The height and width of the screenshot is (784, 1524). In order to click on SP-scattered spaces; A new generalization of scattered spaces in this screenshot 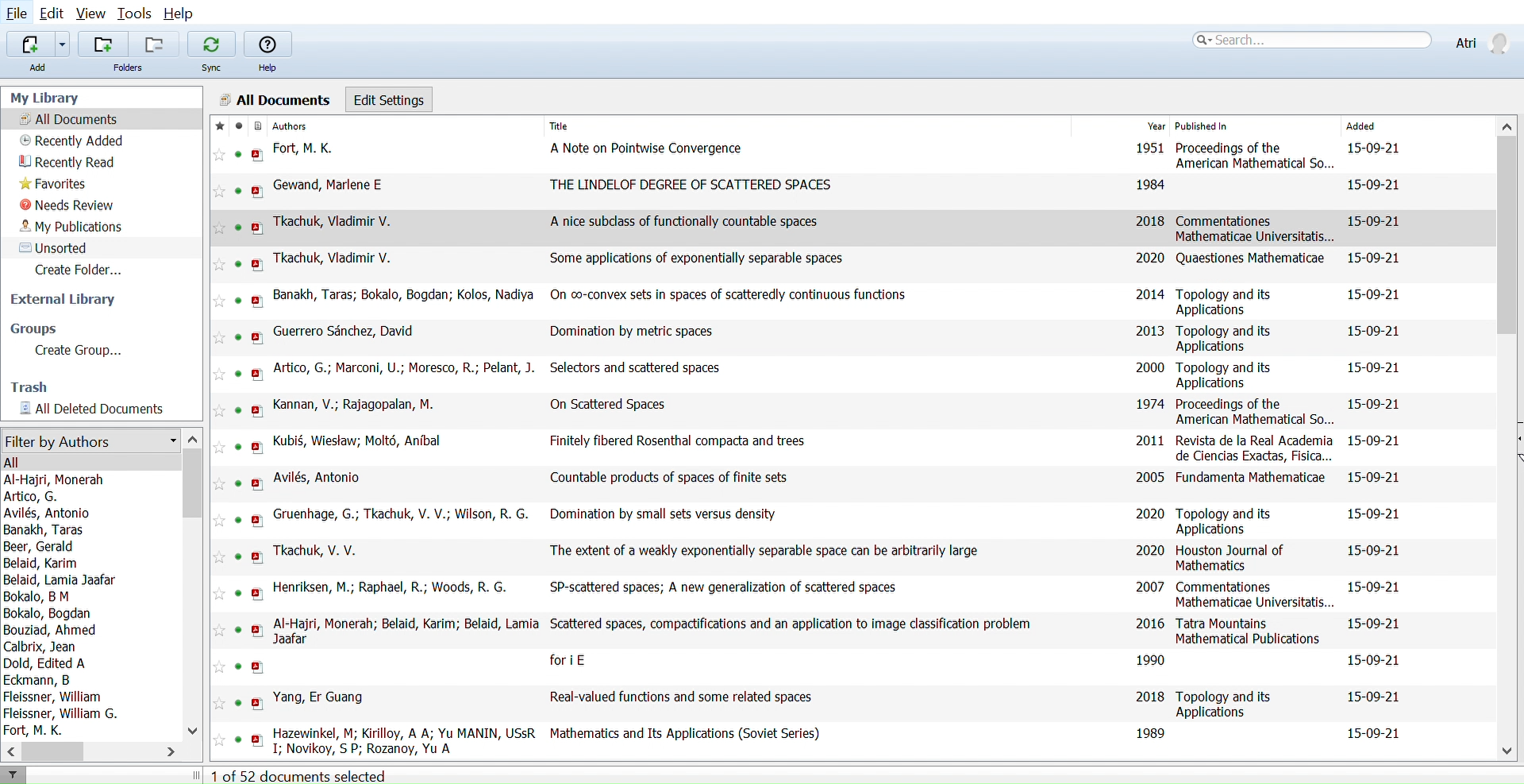, I will do `click(729, 586)`.